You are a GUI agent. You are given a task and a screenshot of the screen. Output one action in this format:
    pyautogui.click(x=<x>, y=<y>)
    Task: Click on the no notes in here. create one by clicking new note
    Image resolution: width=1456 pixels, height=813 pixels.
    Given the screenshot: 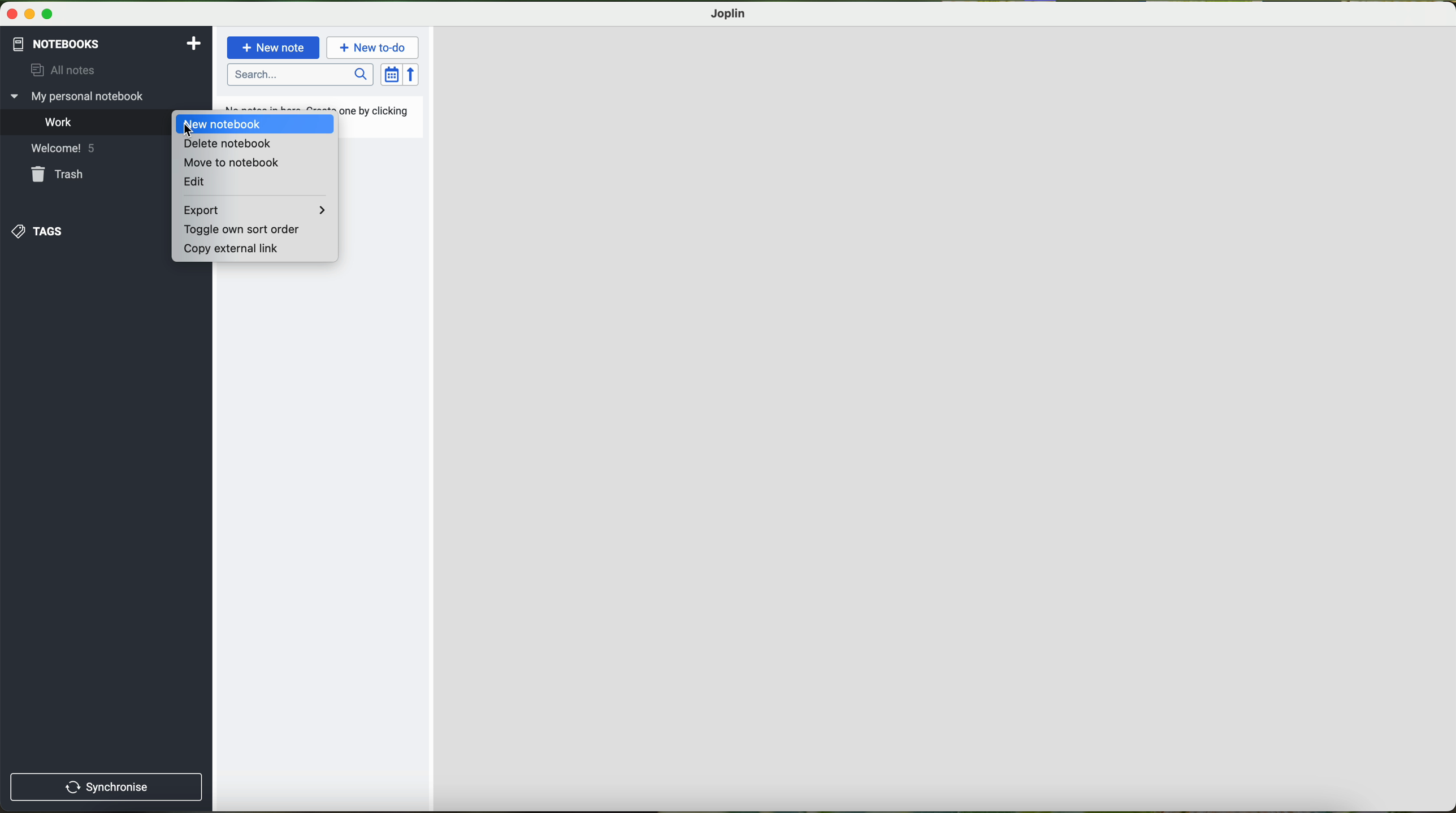 What is the action you would take?
    pyautogui.click(x=378, y=116)
    